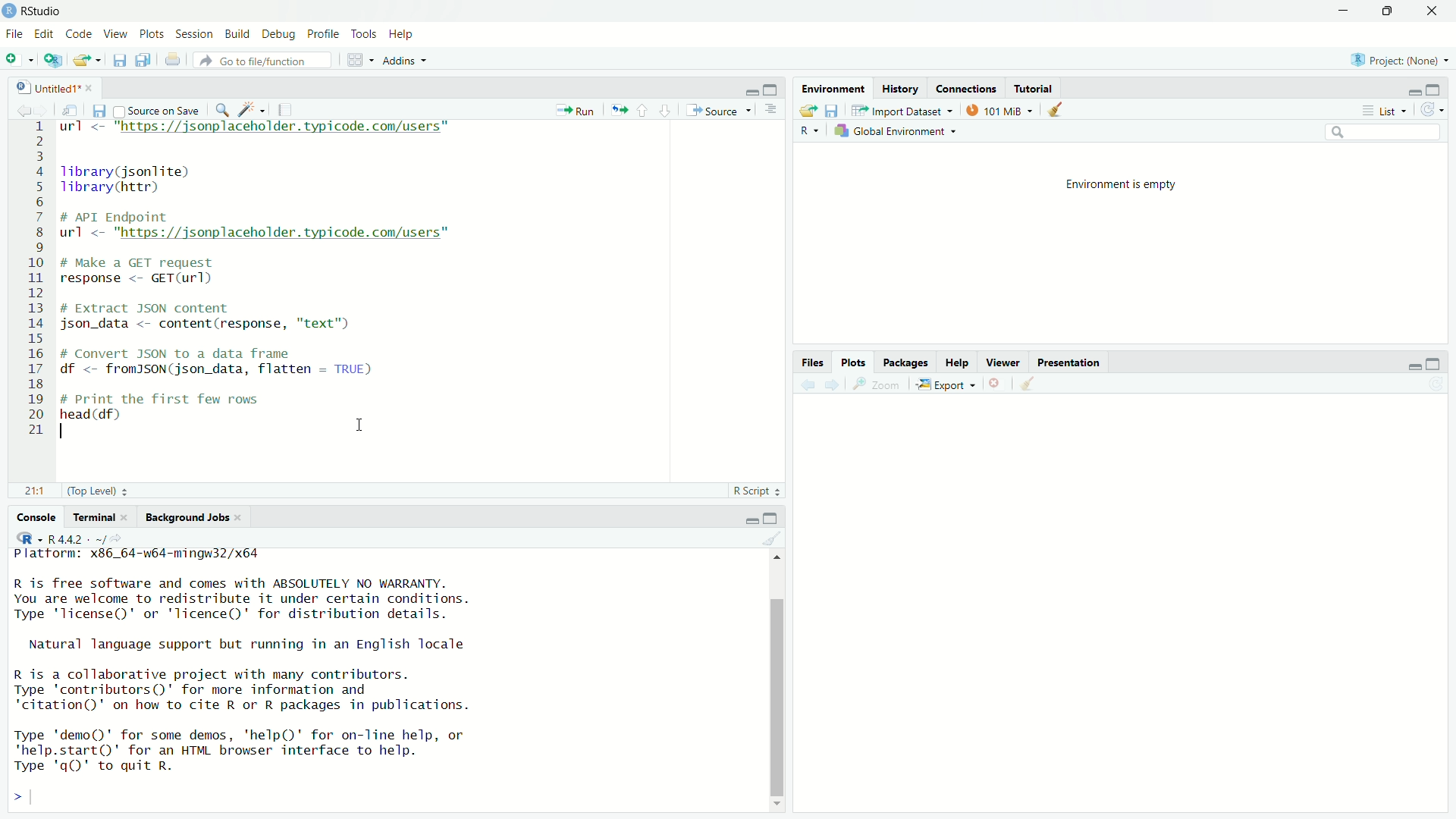  Describe the element at coordinates (118, 58) in the screenshot. I see `Save` at that location.